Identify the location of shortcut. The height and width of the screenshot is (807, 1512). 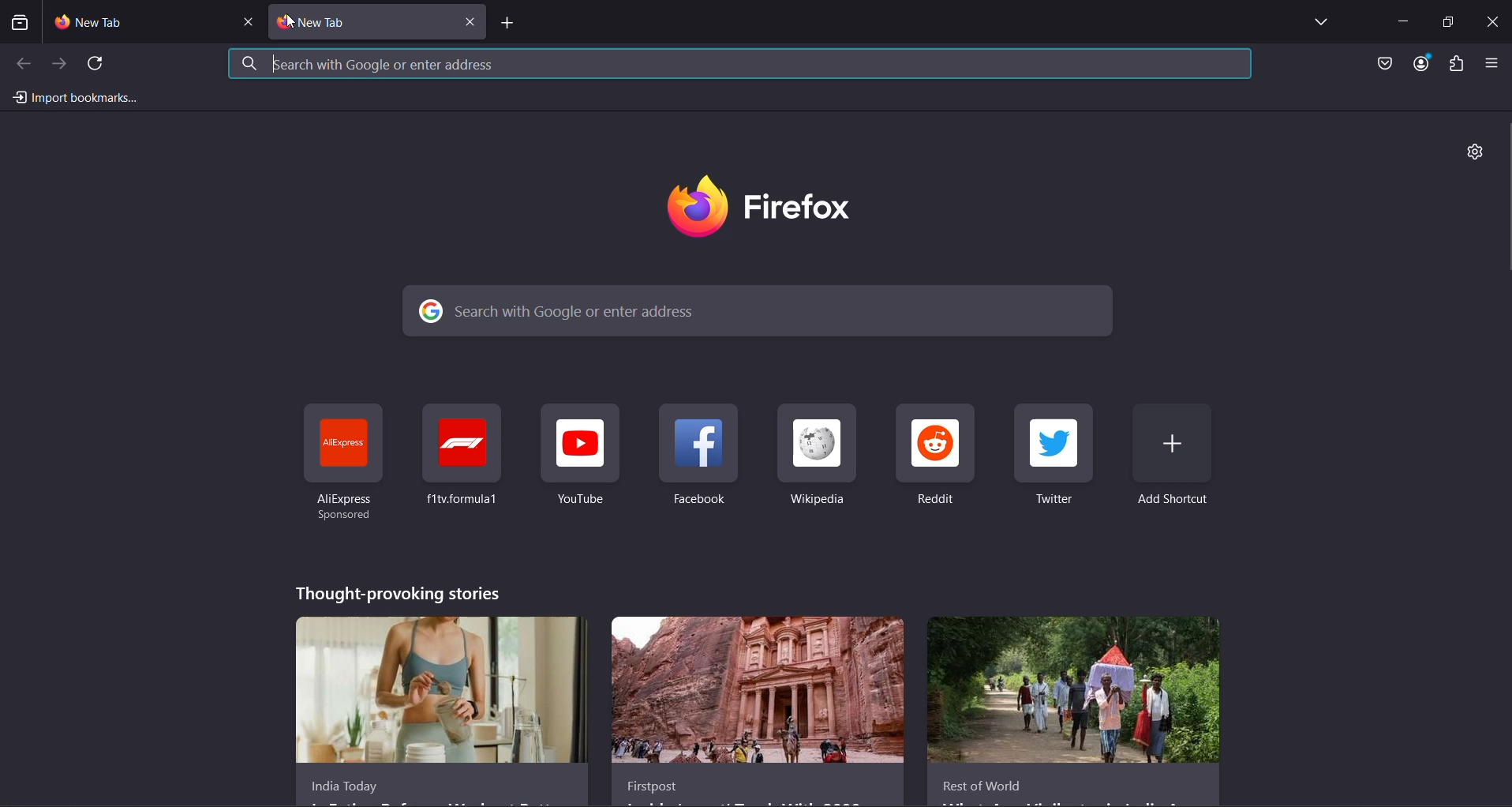
(1056, 456).